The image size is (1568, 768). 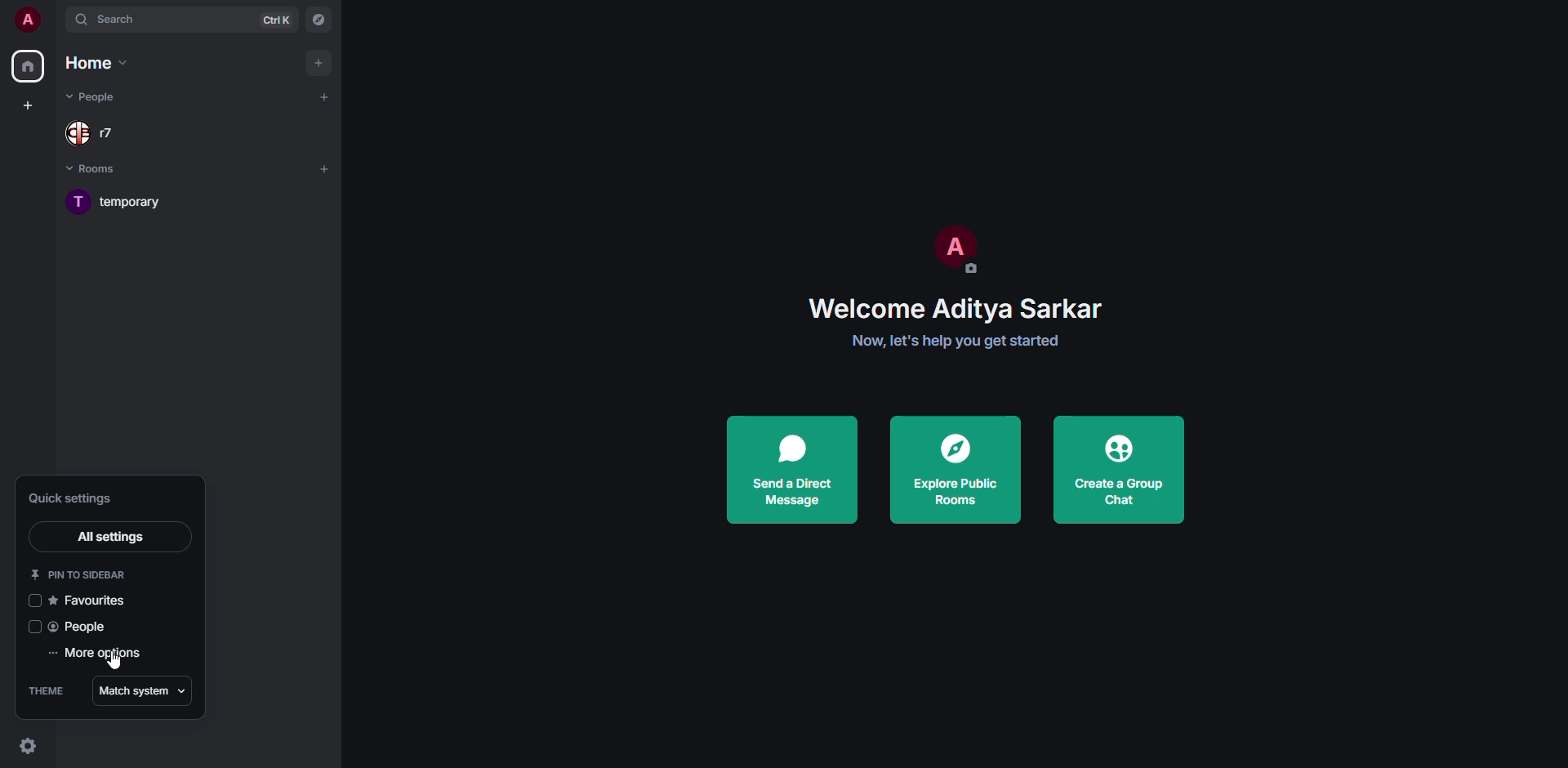 What do you see at coordinates (72, 498) in the screenshot?
I see `quick settings` at bounding box center [72, 498].